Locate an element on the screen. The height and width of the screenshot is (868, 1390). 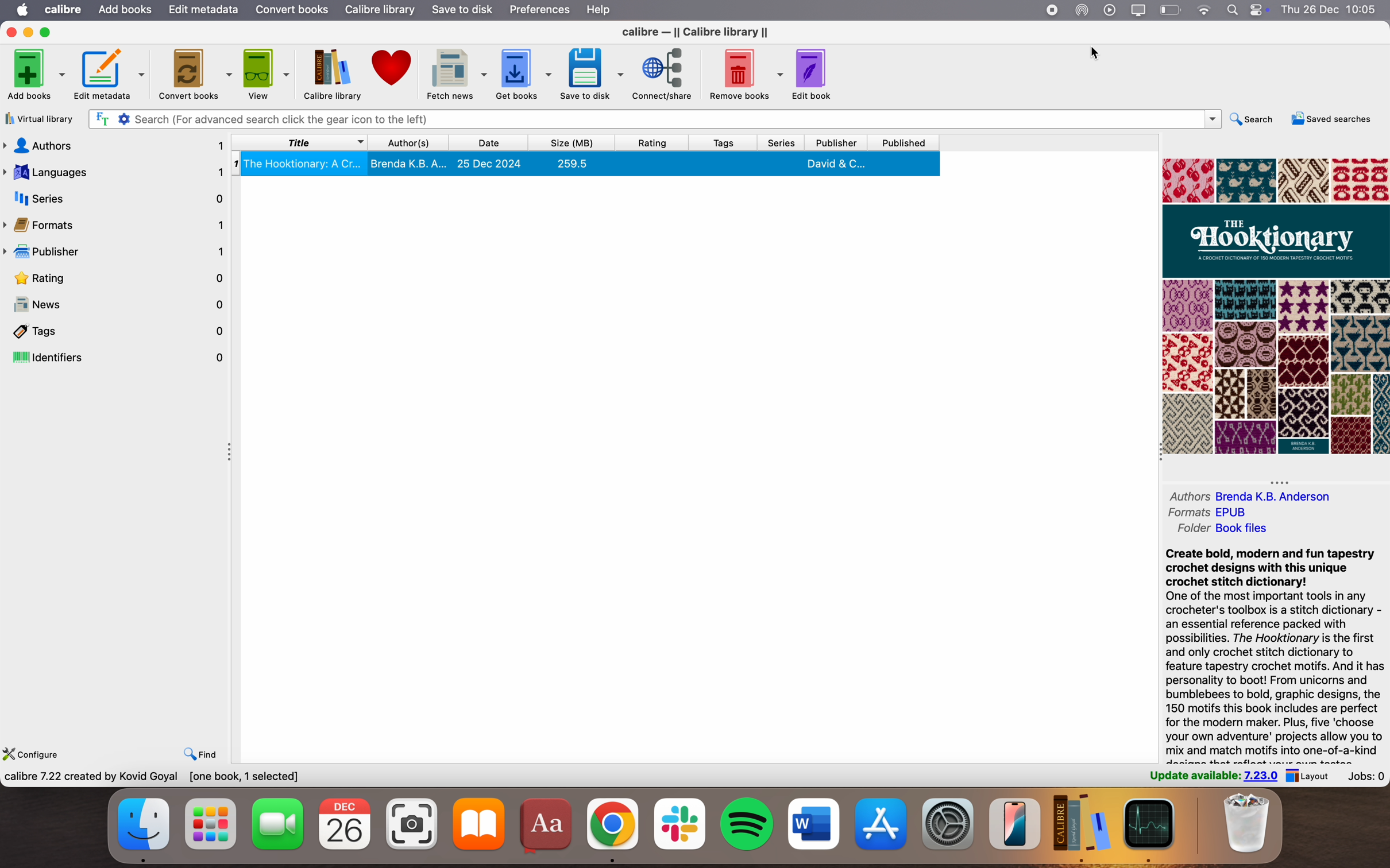
settings is located at coordinates (947, 824).